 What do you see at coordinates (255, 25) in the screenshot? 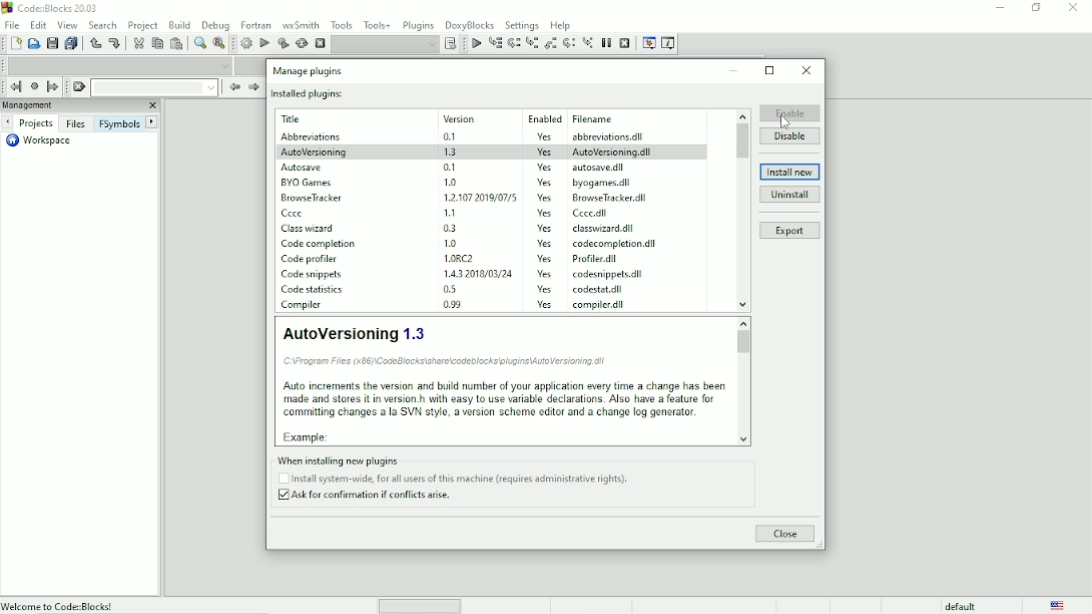
I see `Fortran` at bounding box center [255, 25].